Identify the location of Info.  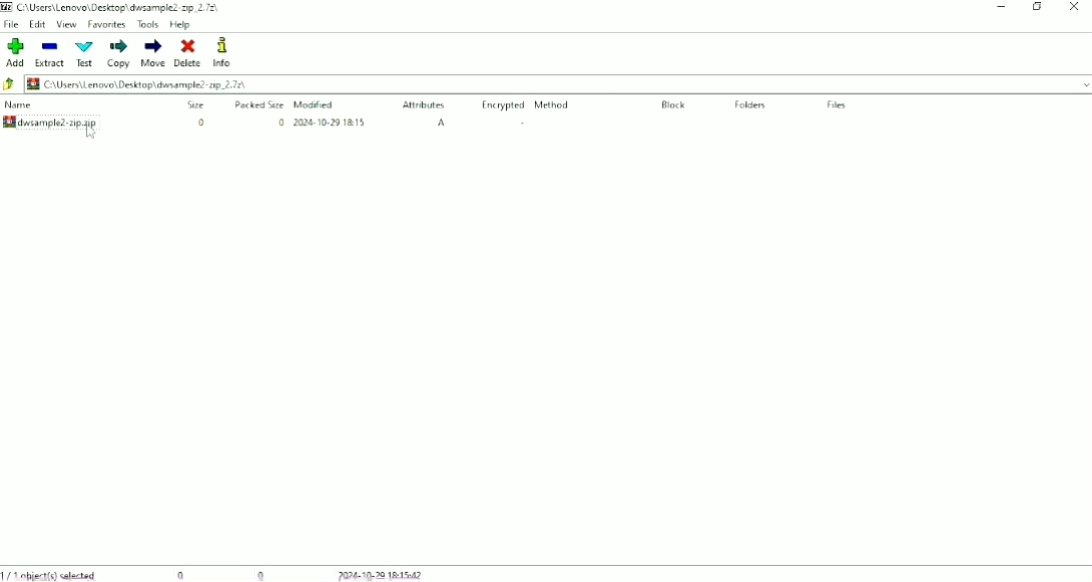
(231, 53).